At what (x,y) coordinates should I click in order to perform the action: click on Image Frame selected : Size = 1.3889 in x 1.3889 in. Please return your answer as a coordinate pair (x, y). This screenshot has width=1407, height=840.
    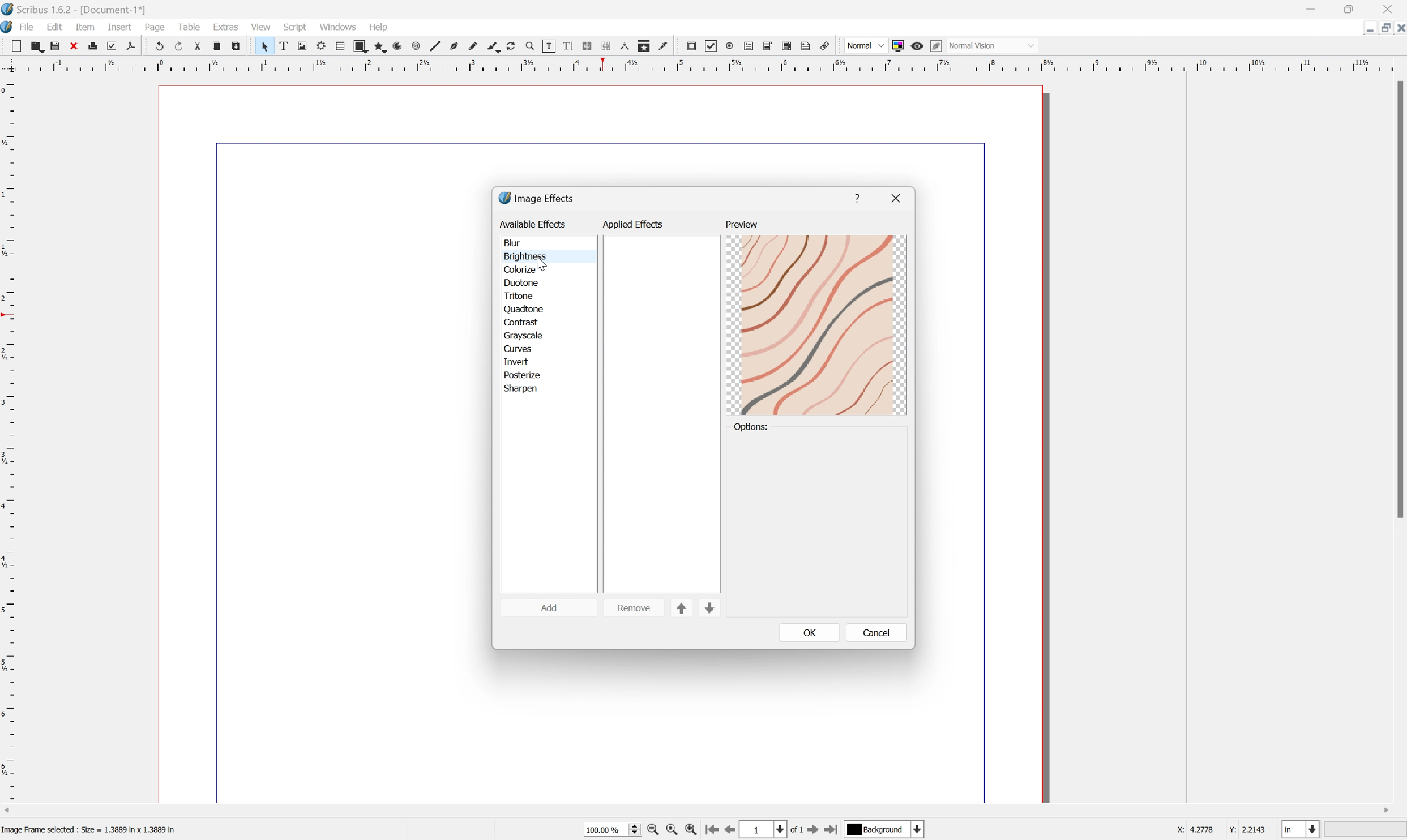
    Looking at the image, I should click on (89, 830).